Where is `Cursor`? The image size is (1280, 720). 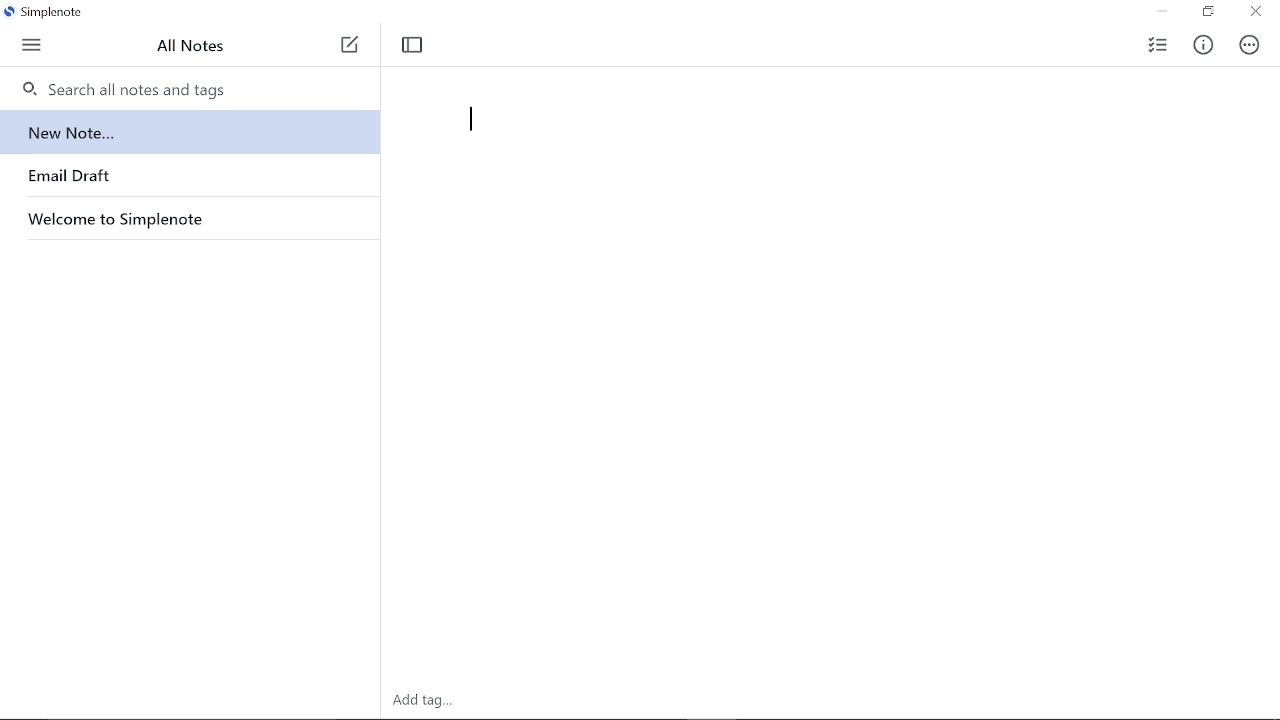 Cursor is located at coordinates (468, 118).